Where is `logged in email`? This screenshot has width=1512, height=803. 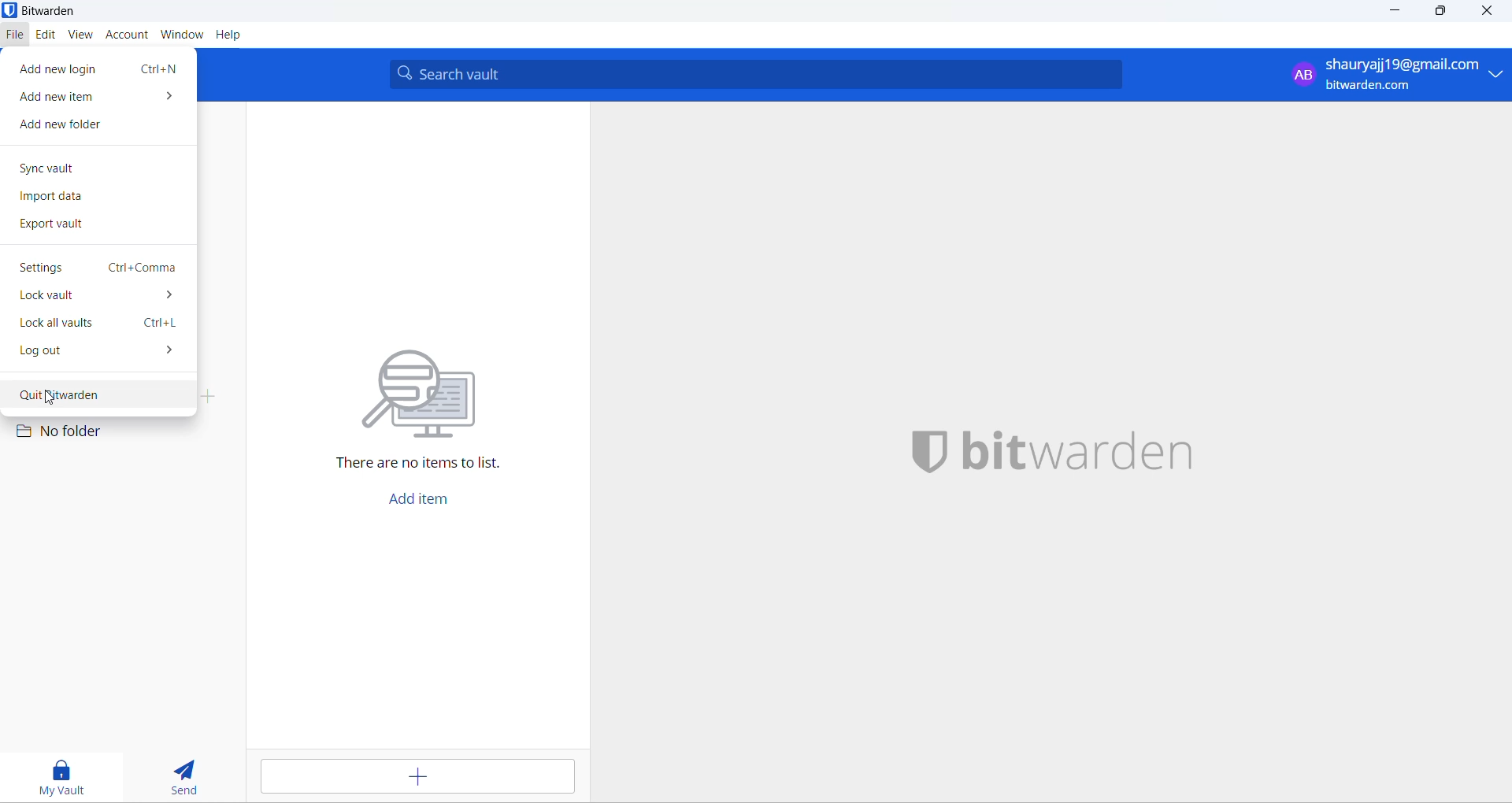 logged in email is located at coordinates (1397, 76).